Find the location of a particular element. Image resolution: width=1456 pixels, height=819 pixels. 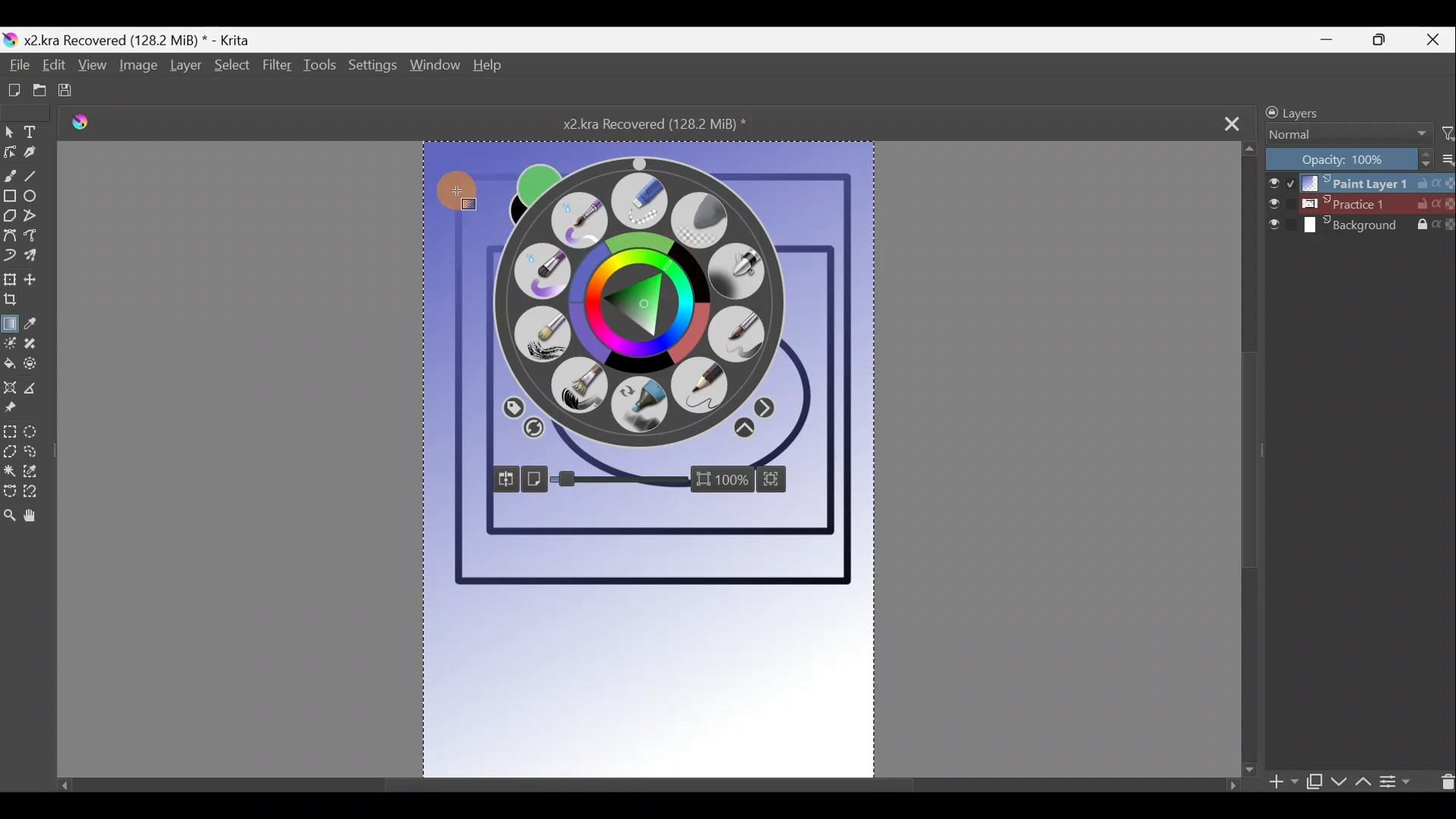

Bristles 2 flat rough is located at coordinates (585, 389).